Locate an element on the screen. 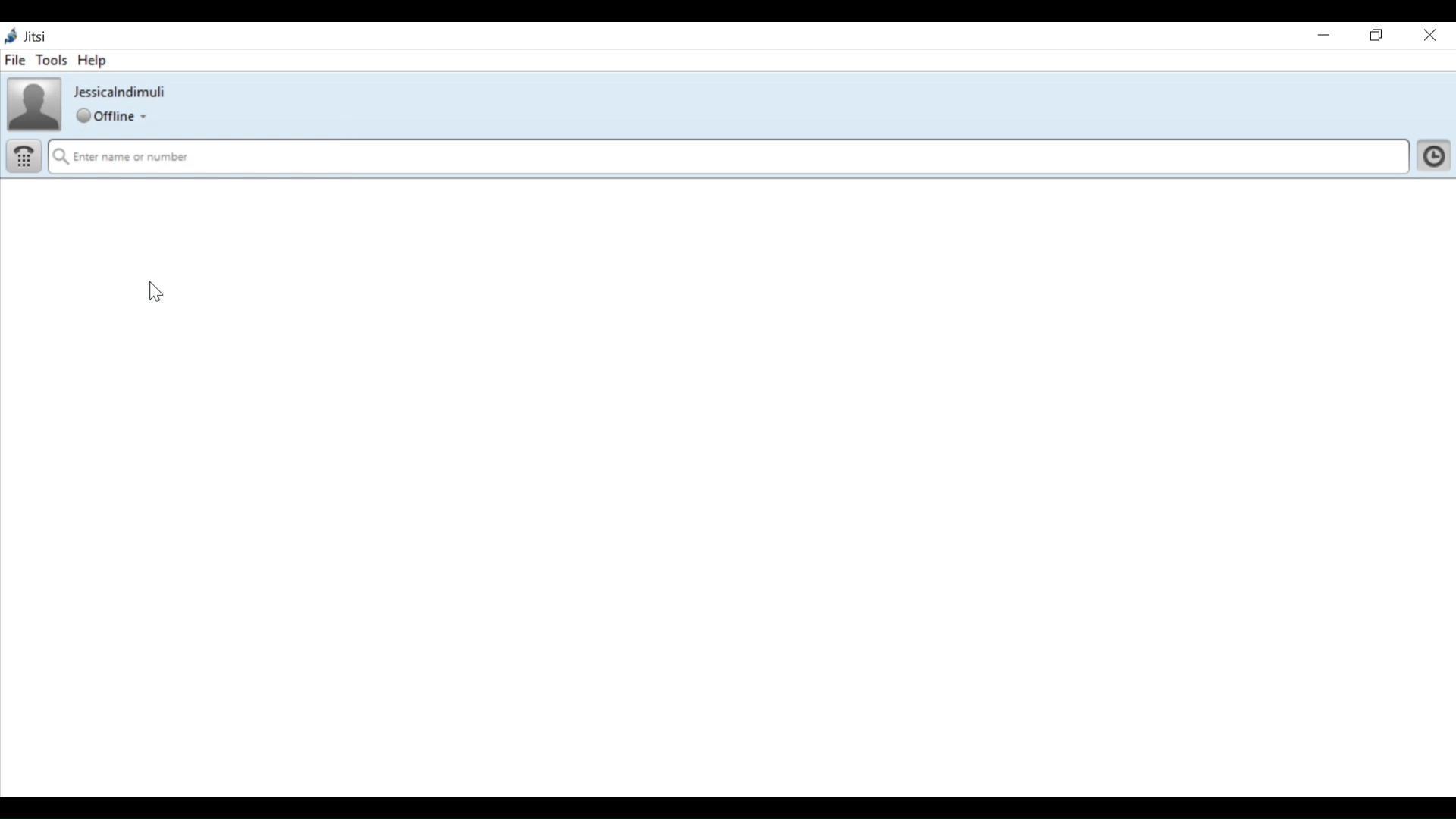 The height and width of the screenshot is (819, 1456). Tools is located at coordinates (51, 61).